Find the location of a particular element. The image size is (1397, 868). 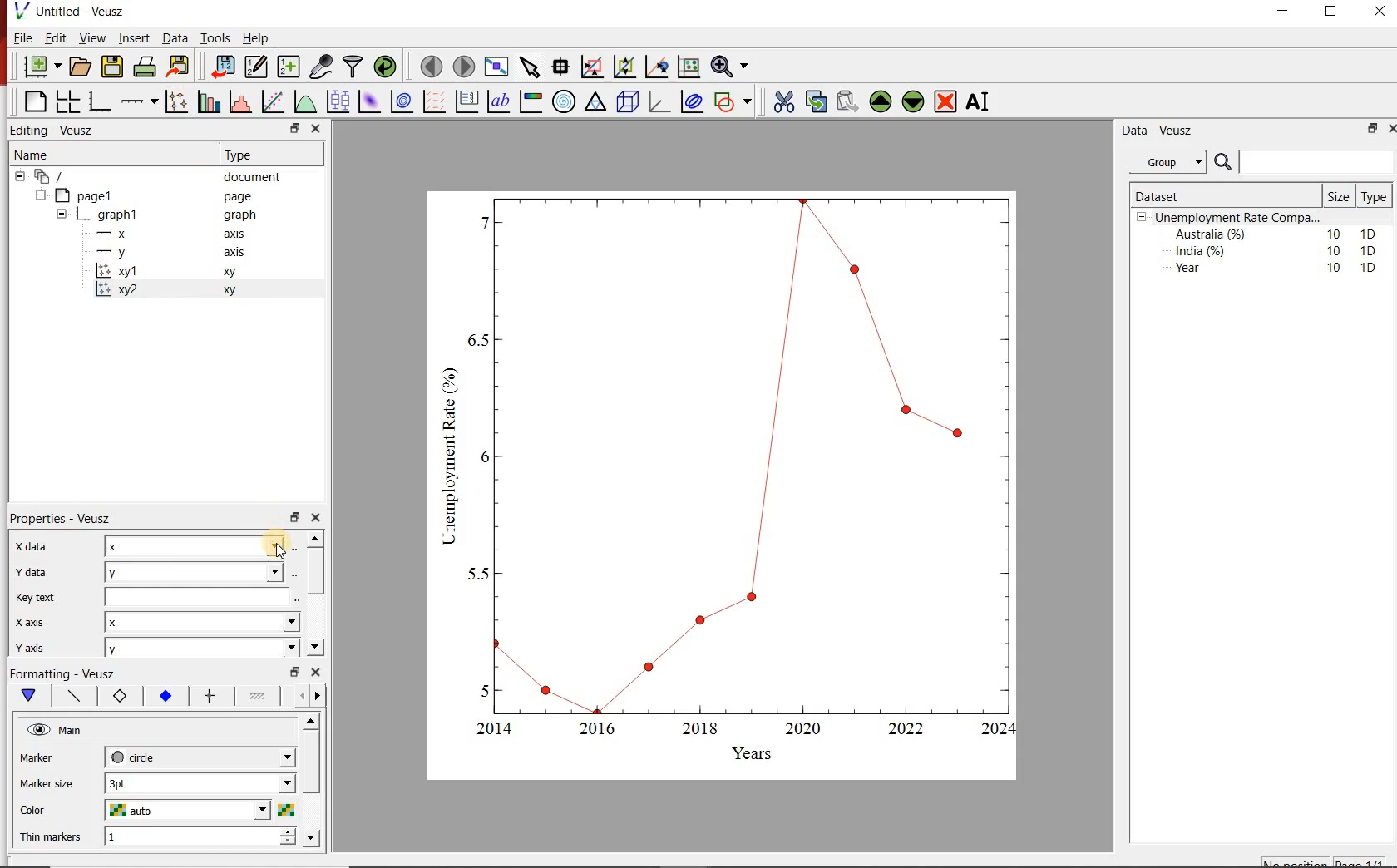

plot 2d datasets as image is located at coordinates (369, 101).